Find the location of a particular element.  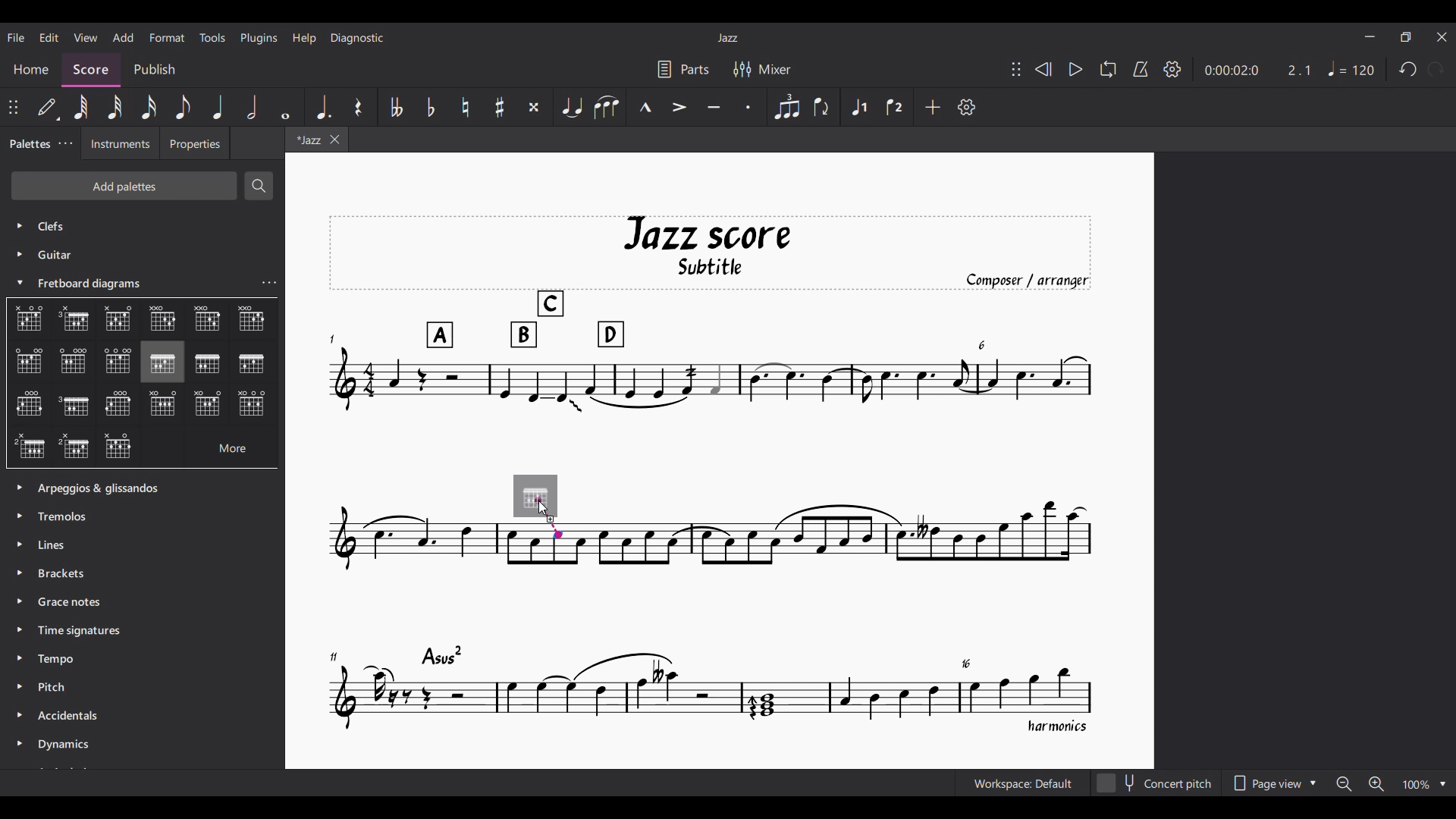

Title of current score is located at coordinates (727, 38).